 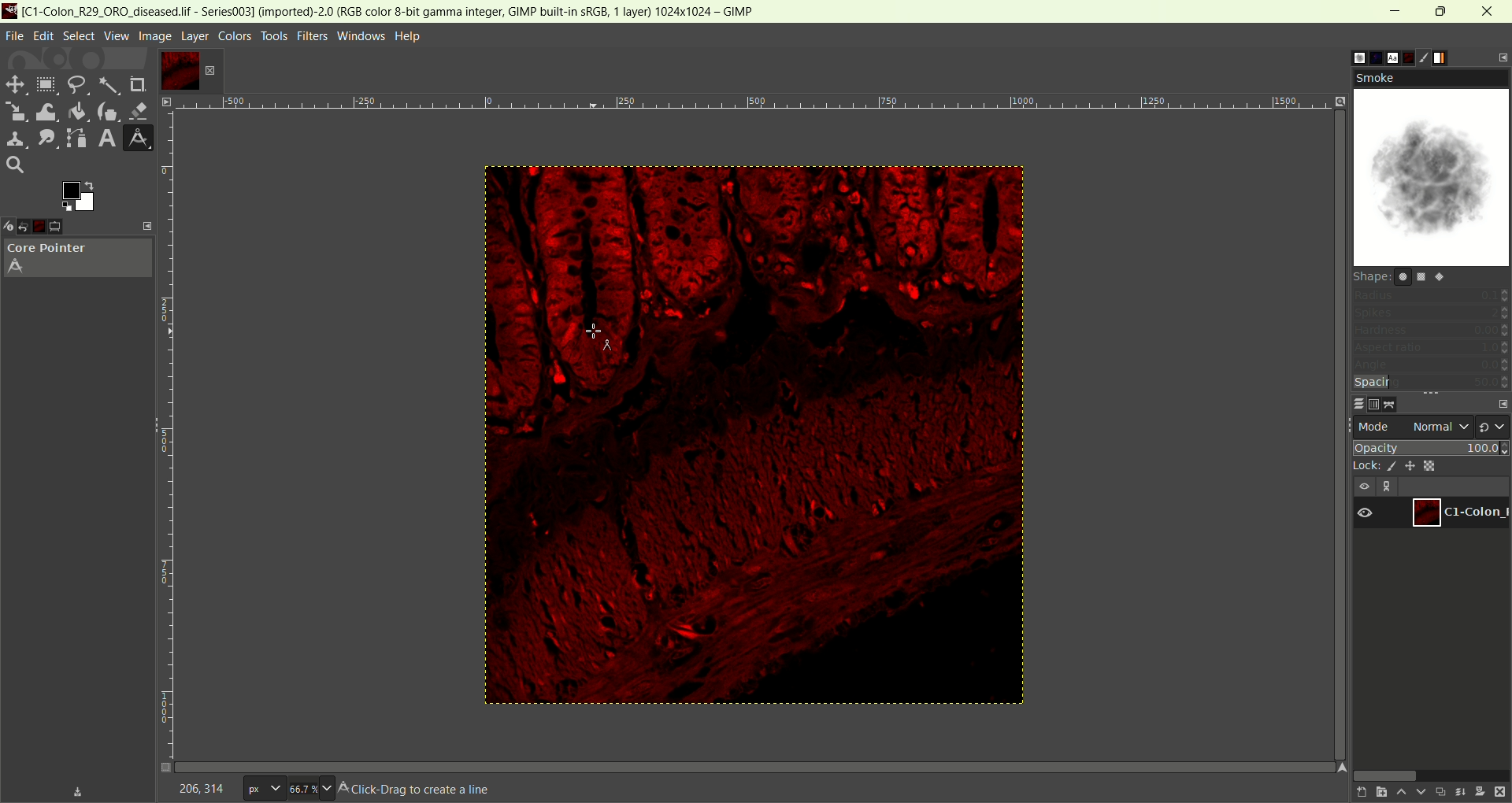 What do you see at coordinates (1431, 167) in the screenshot?
I see `smoke` at bounding box center [1431, 167].